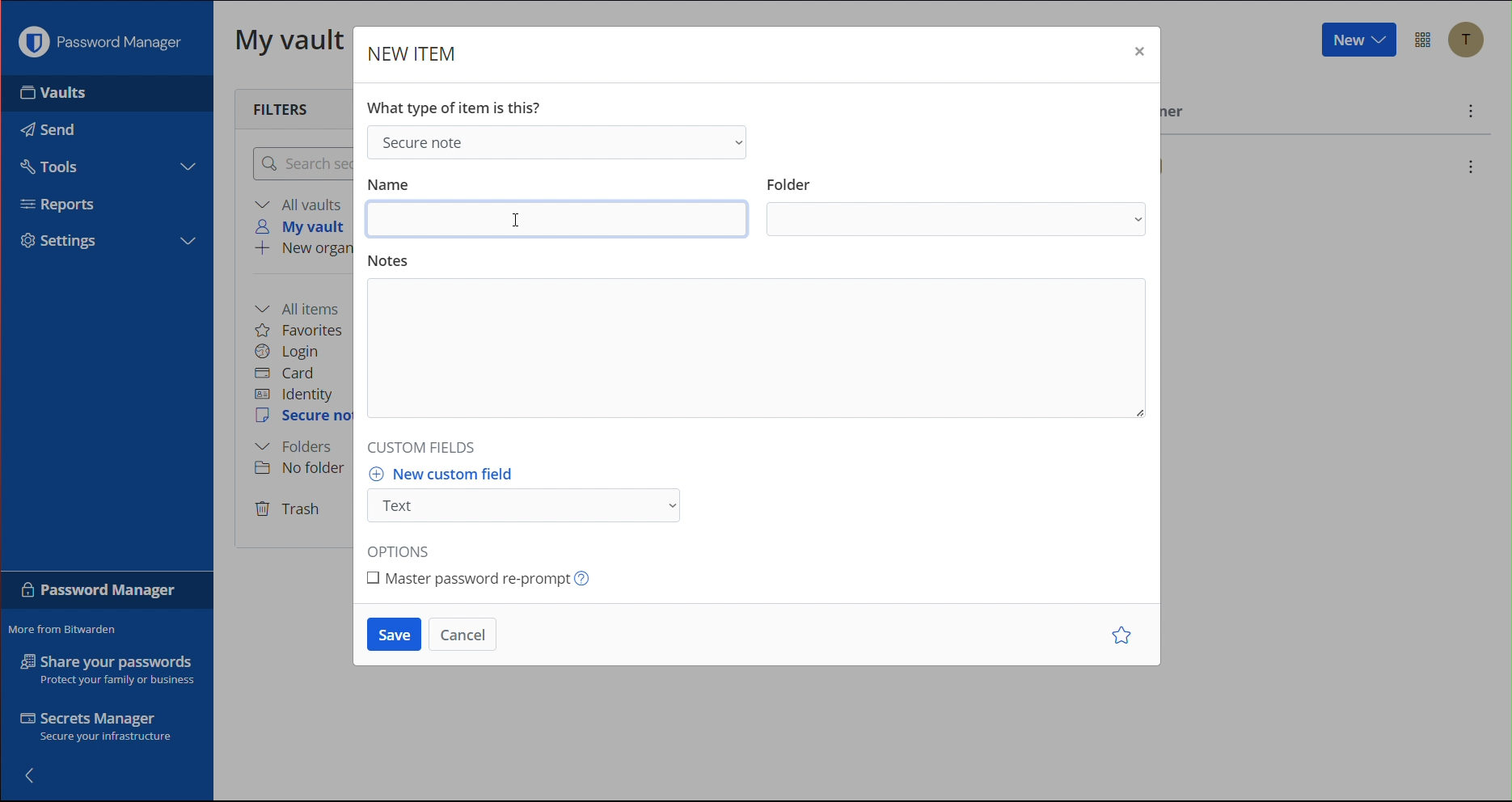 This screenshot has height=802, width=1512. I want to click on No folder, so click(305, 467).